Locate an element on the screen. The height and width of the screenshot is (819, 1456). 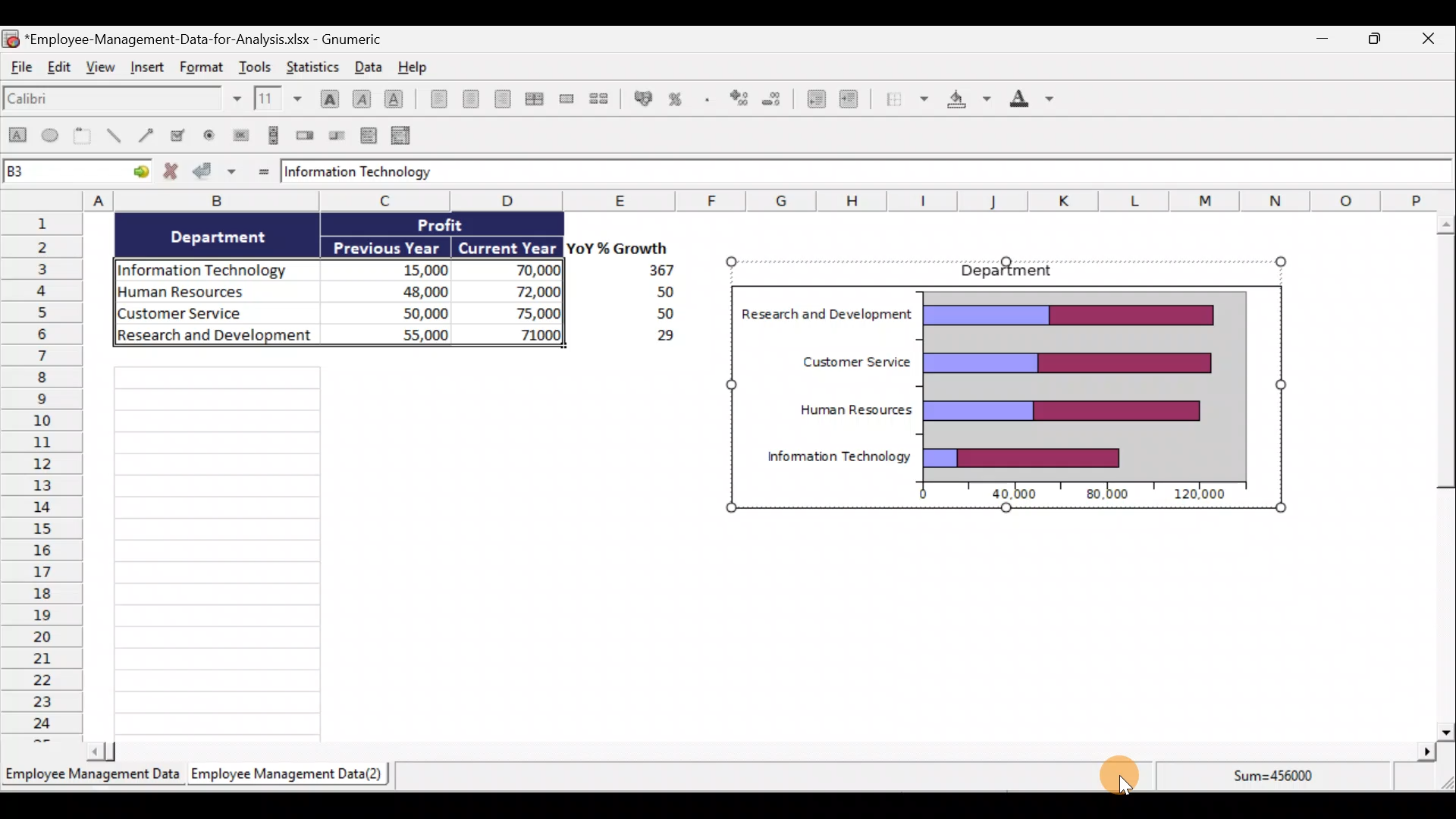
40.000 is located at coordinates (1016, 495).